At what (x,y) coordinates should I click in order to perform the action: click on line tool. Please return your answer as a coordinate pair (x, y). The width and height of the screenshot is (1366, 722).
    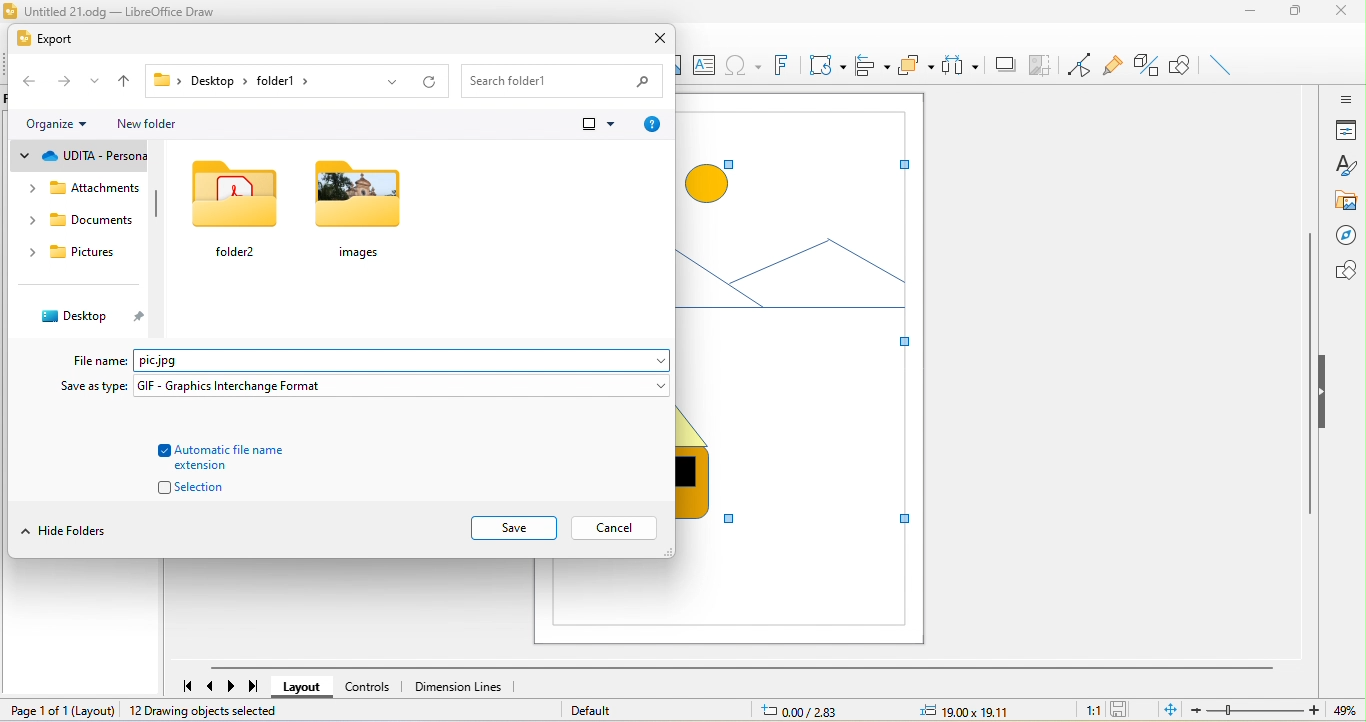
    Looking at the image, I should click on (1224, 67).